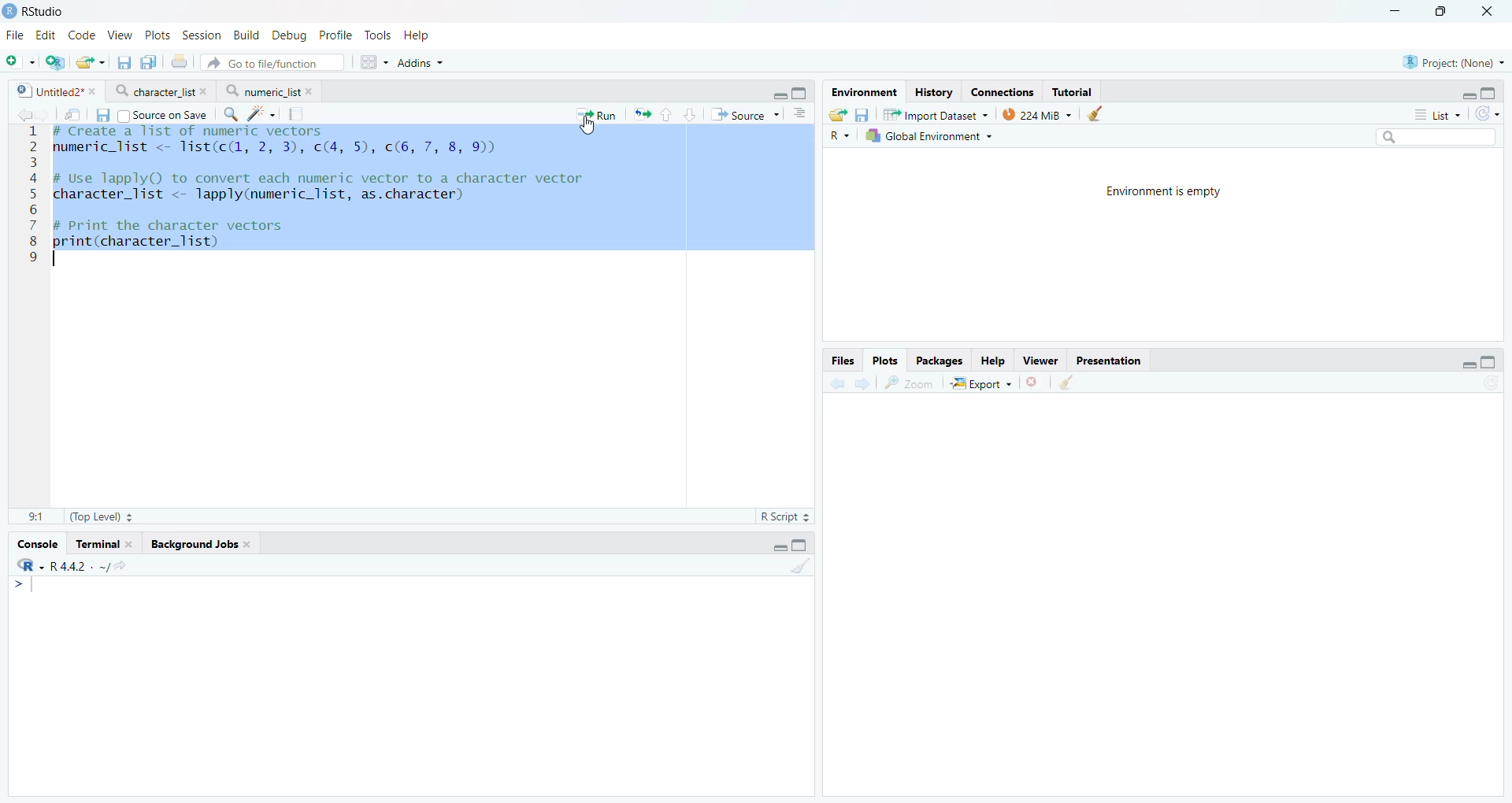 This screenshot has height=803, width=1512. I want to click on Tutorial, so click(1073, 92).